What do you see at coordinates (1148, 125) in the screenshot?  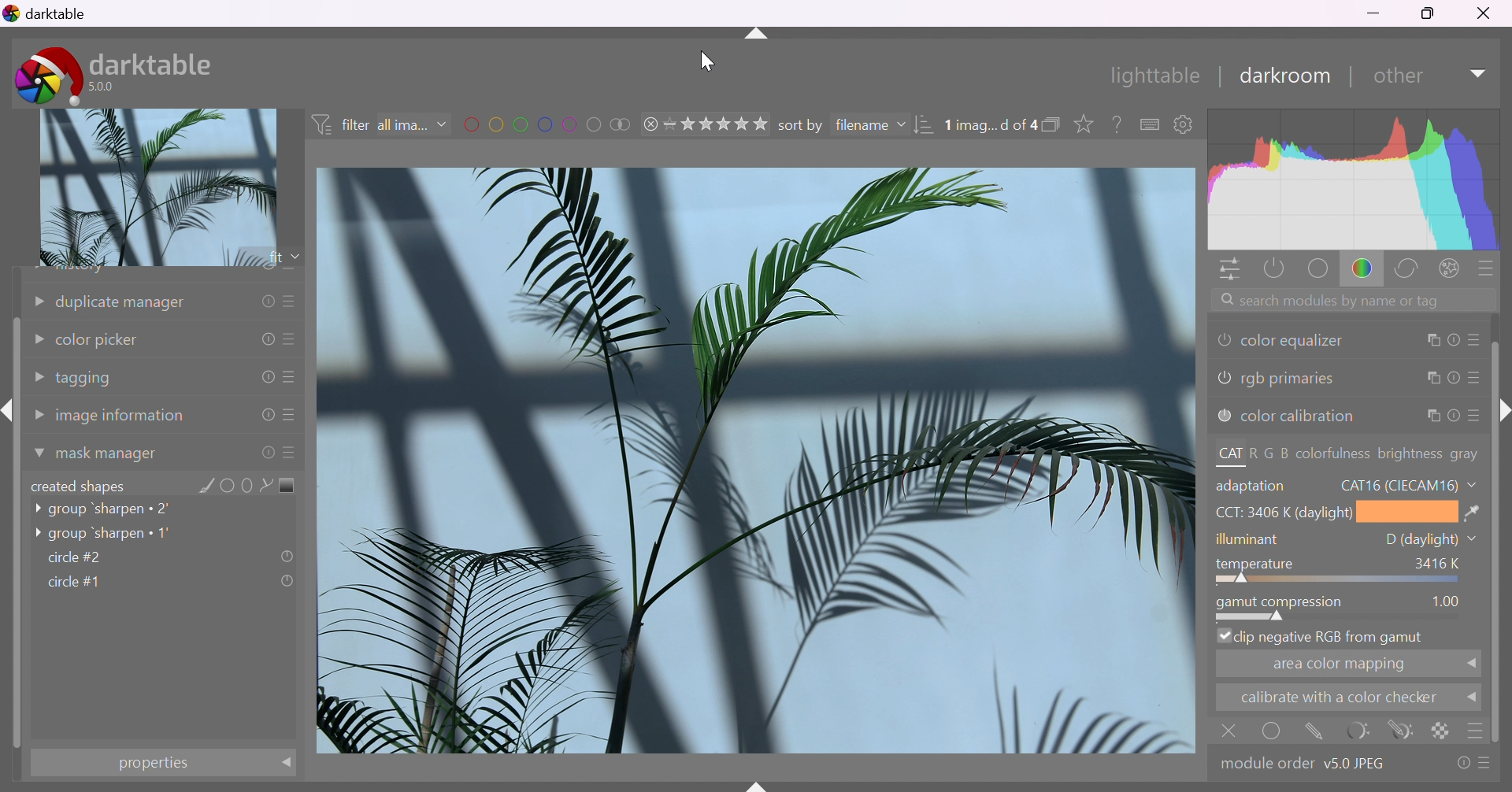 I see `keyboard shortcuts` at bounding box center [1148, 125].